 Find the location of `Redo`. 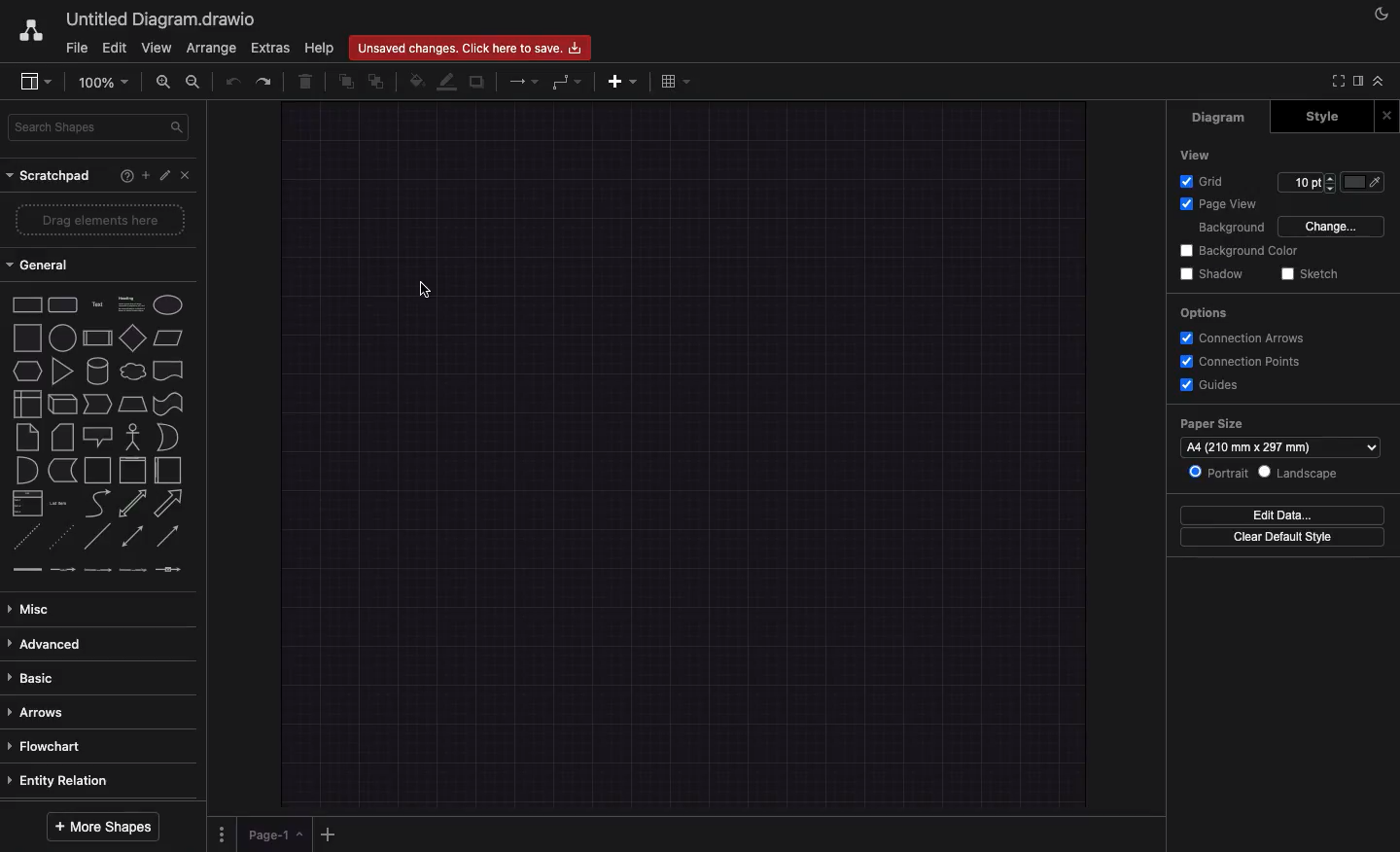

Redo is located at coordinates (264, 81).